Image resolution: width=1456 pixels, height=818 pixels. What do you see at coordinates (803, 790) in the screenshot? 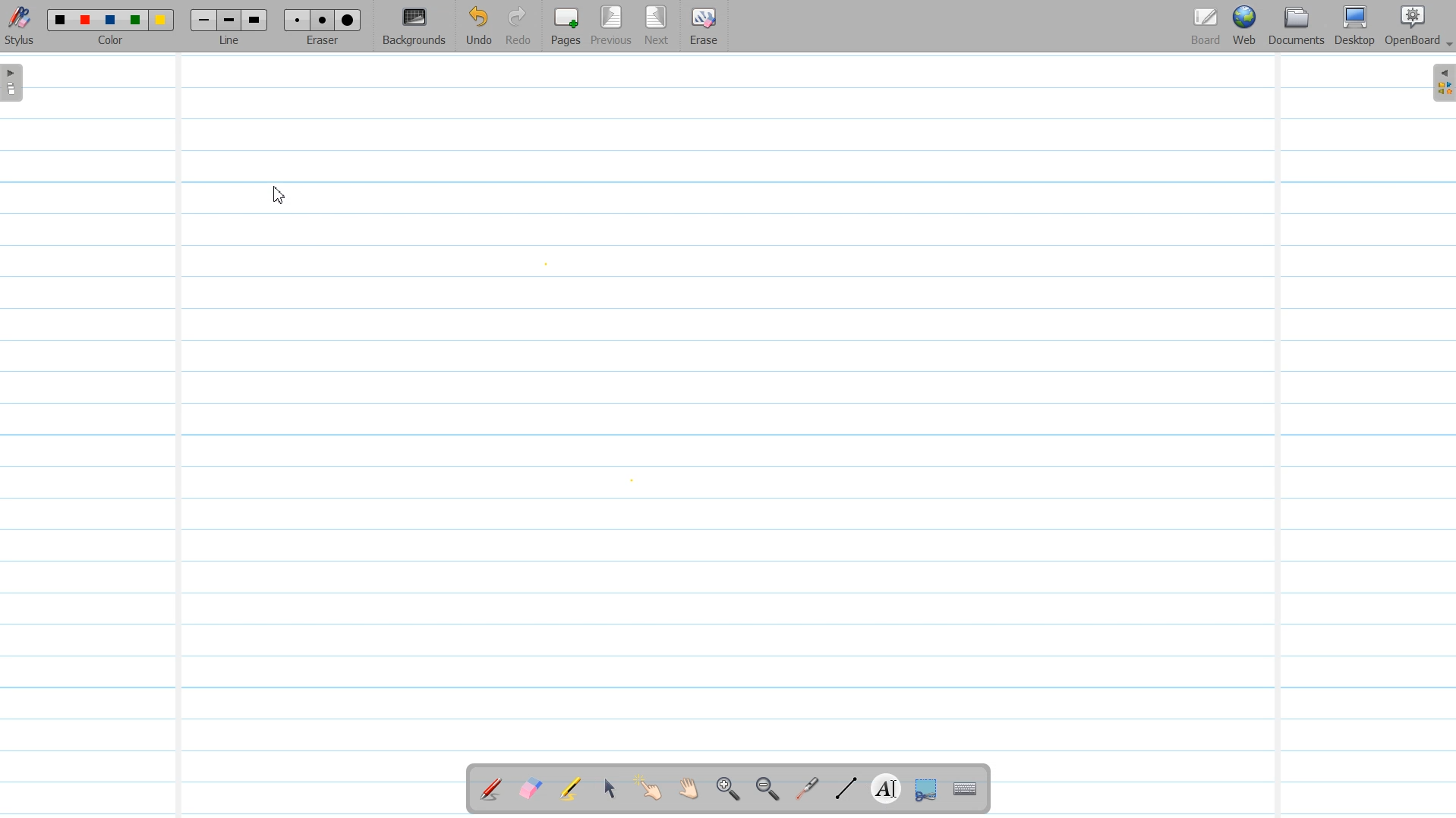
I see `Virtual Laser Pointer` at bounding box center [803, 790].